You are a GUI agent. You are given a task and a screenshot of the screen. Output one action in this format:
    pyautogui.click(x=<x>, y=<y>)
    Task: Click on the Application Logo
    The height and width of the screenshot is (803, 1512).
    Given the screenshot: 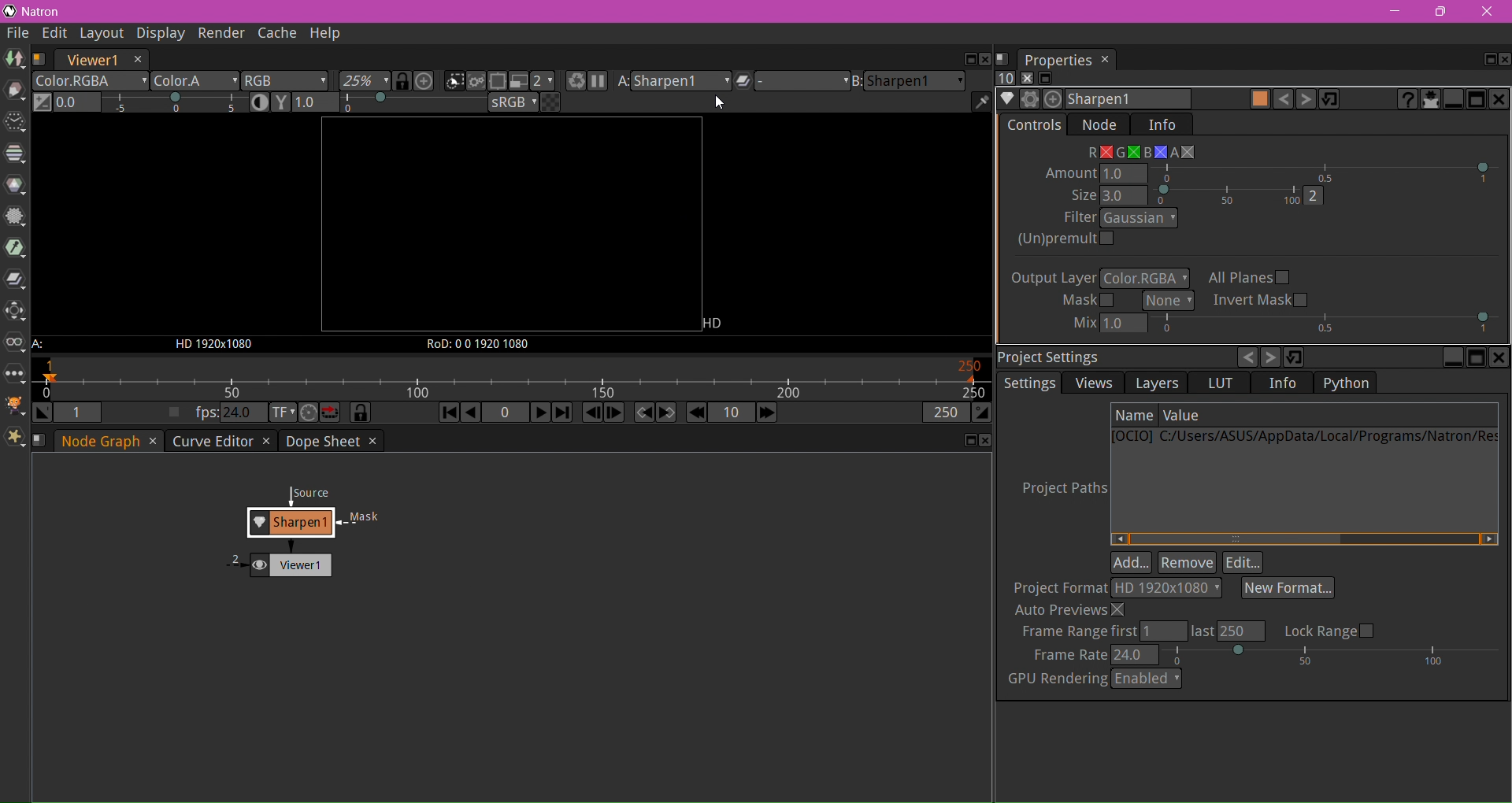 What is the action you would take?
    pyautogui.click(x=9, y=12)
    